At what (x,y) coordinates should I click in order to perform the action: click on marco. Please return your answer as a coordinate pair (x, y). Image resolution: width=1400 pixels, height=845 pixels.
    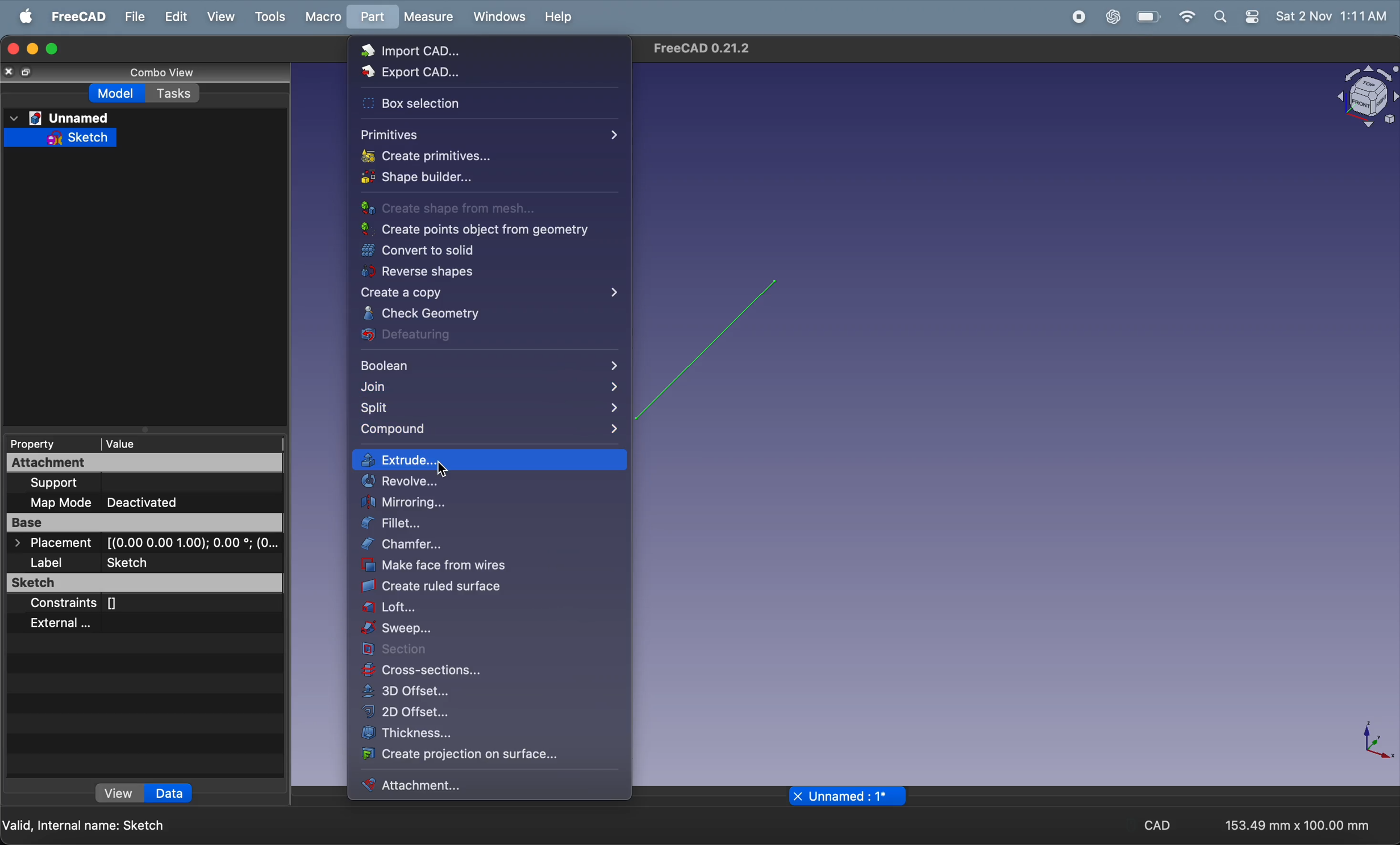
    Looking at the image, I should click on (323, 18).